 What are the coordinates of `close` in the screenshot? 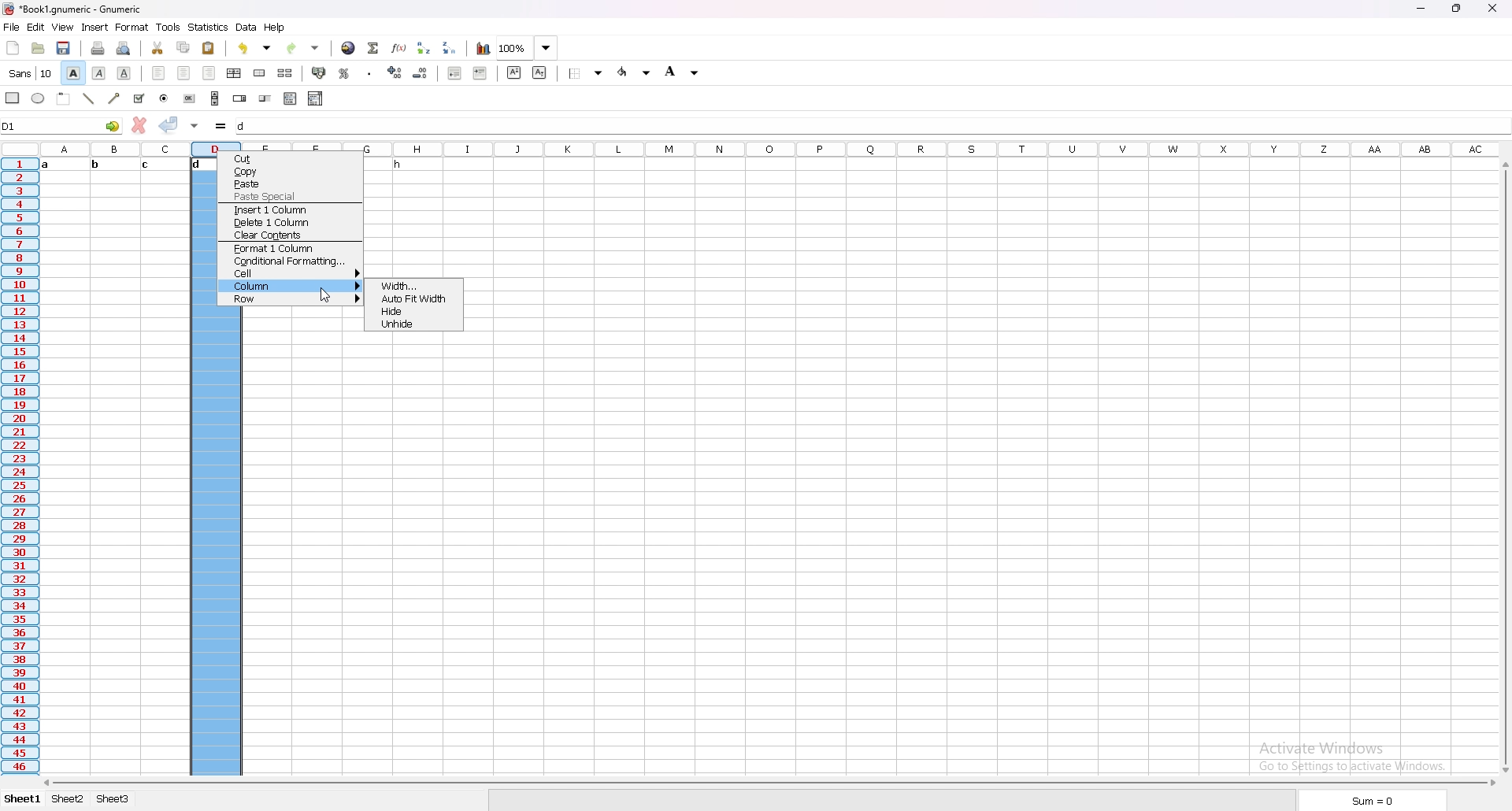 It's located at (1493, 8).